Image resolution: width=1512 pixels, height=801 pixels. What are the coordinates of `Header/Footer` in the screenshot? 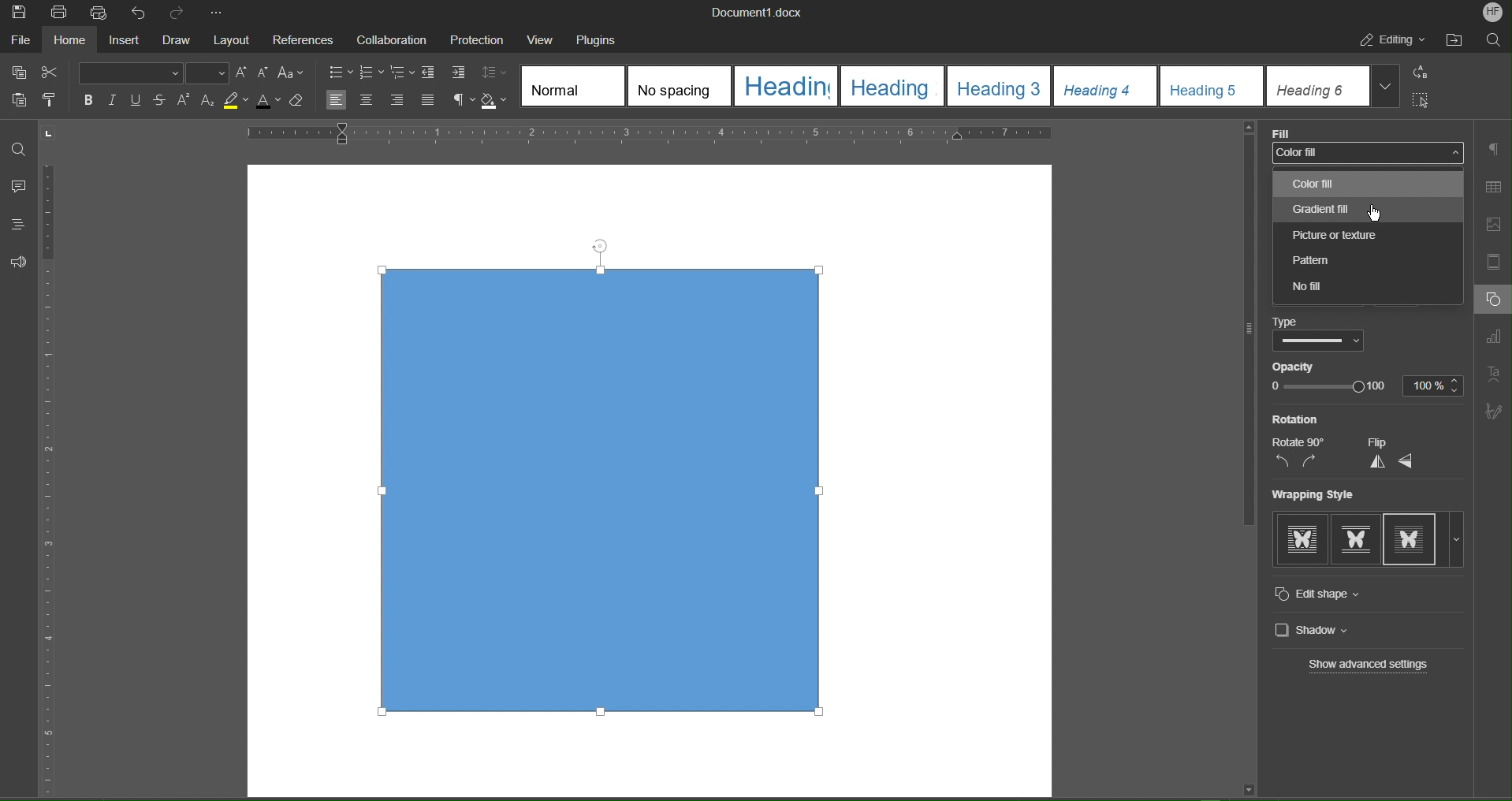 It's located at (1498, 263).